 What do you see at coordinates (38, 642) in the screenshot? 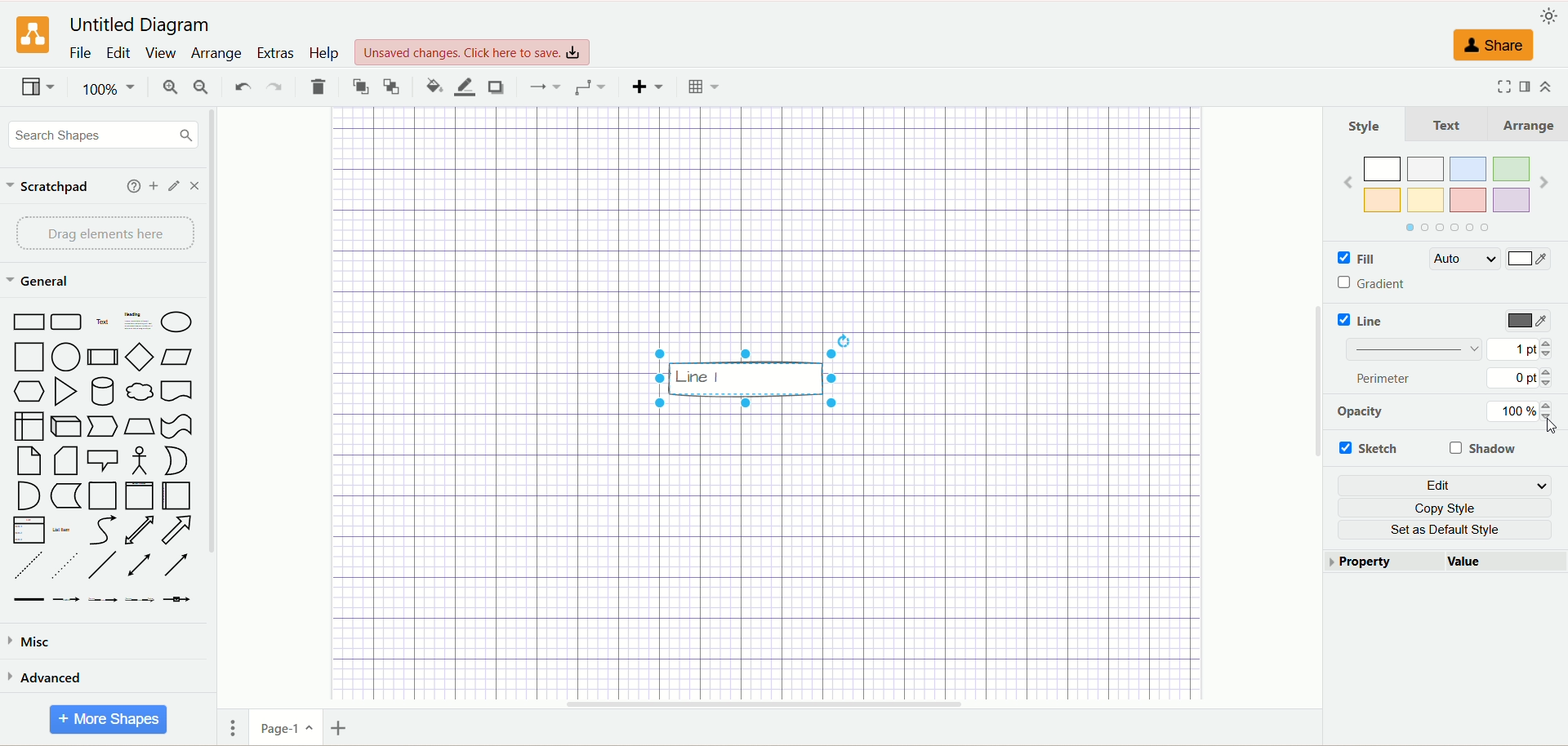
I see `misc` at bounding box center [38, 642].